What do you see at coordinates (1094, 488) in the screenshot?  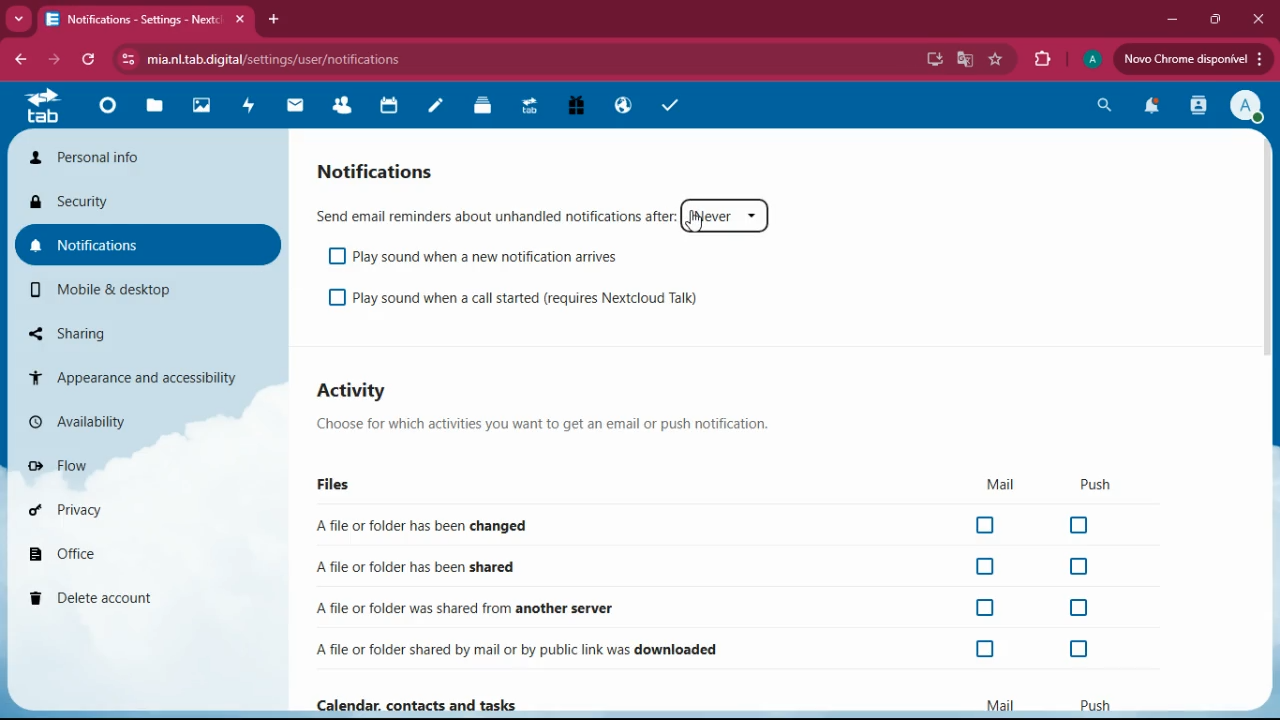 I see `push` at bounding box center [1094, 488].